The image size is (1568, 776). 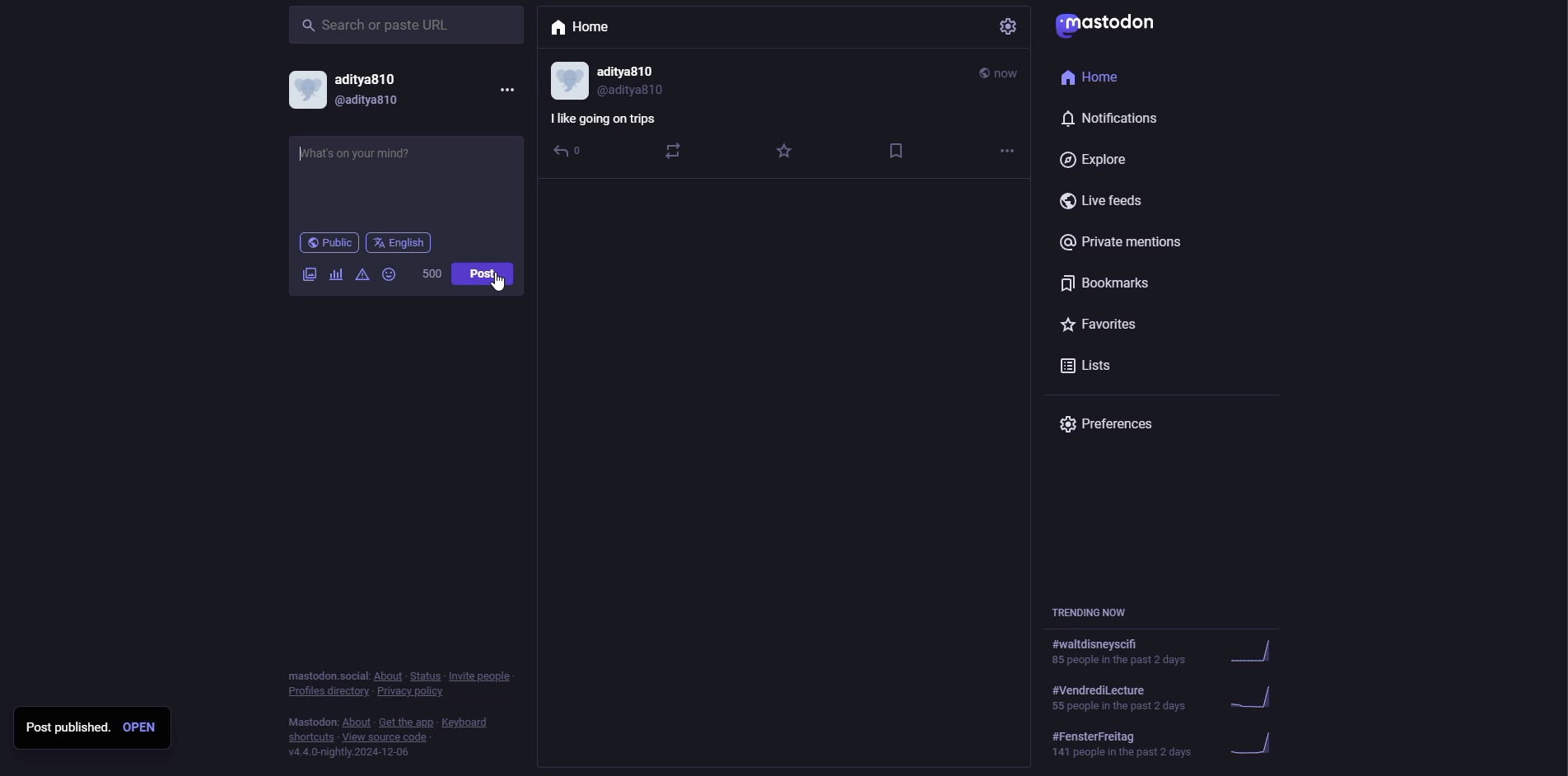 I want to click on settings, so click(x=1010, y=26).